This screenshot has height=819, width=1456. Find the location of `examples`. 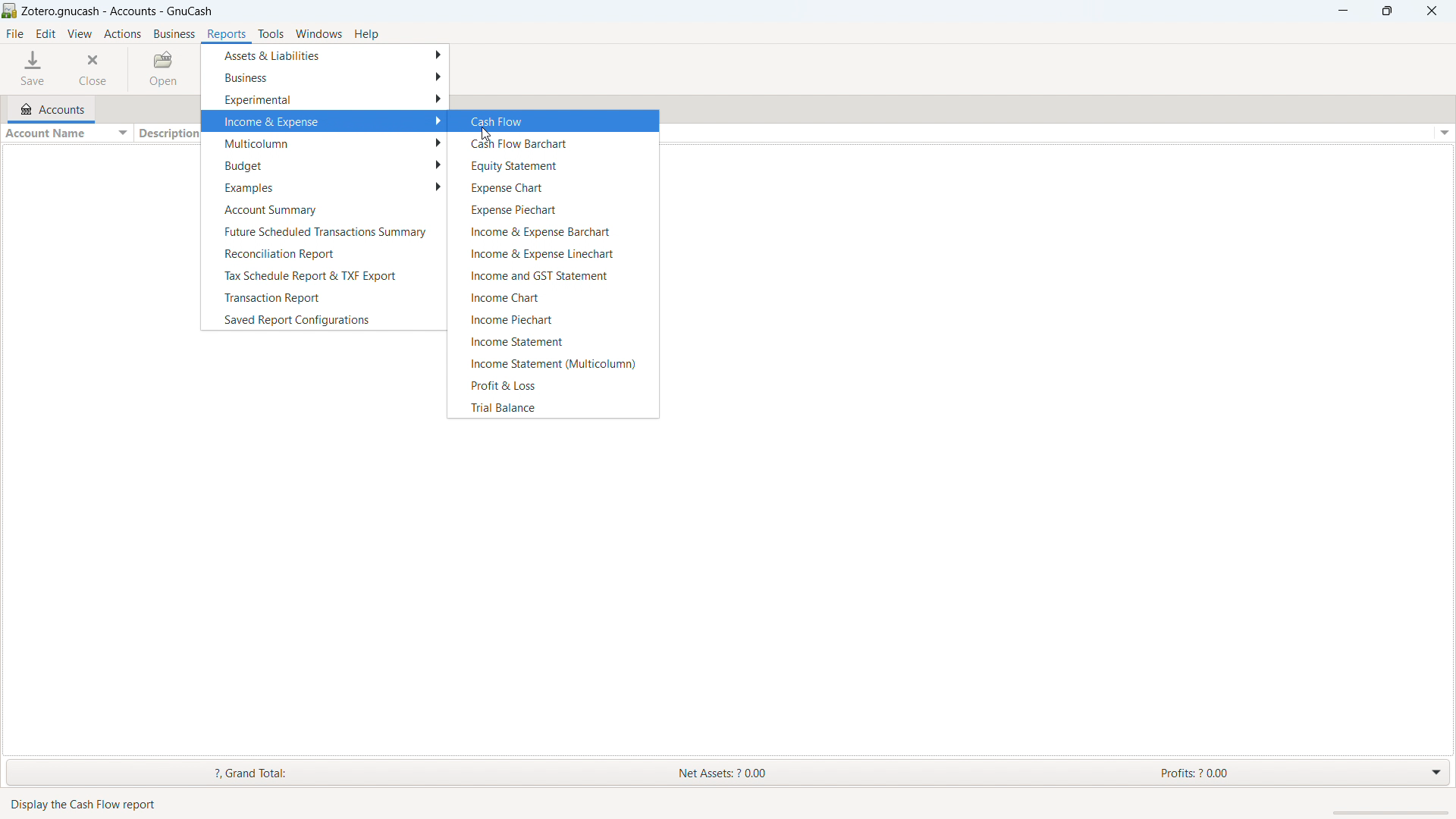

examples is located at coordinates (323, 187).